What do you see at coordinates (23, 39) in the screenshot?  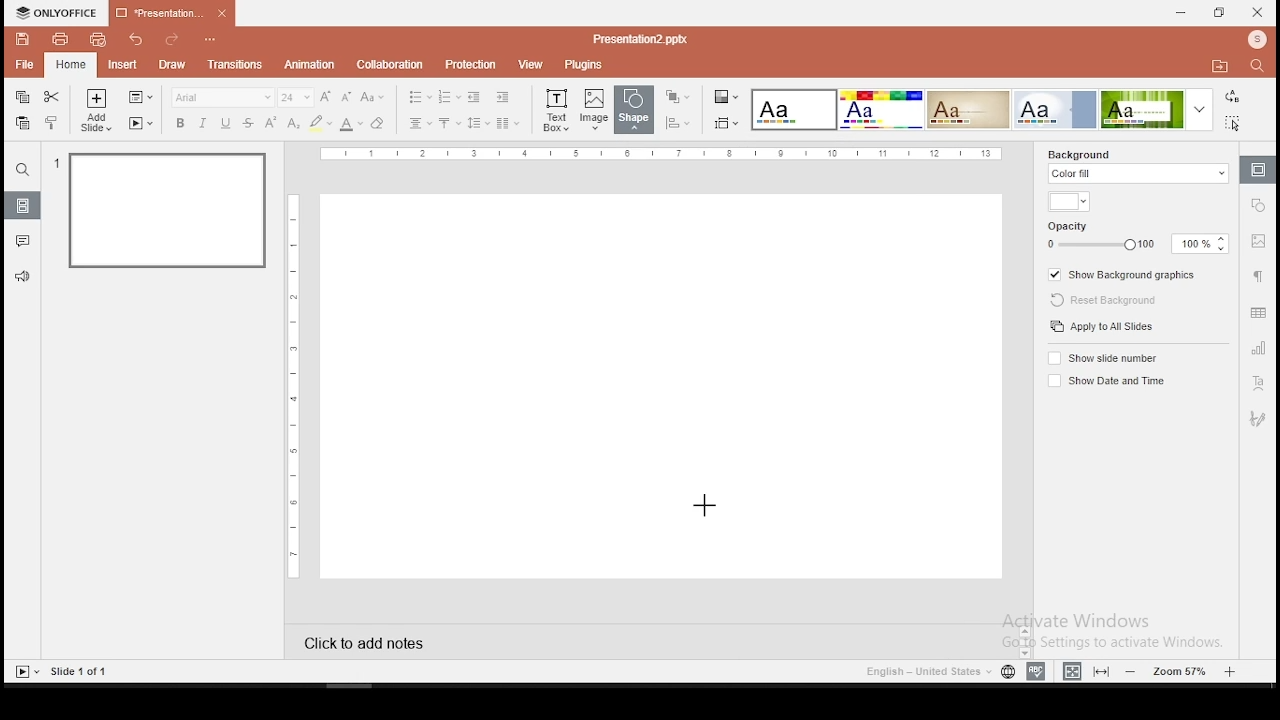 I see `save` at bounding box center [23, 39].